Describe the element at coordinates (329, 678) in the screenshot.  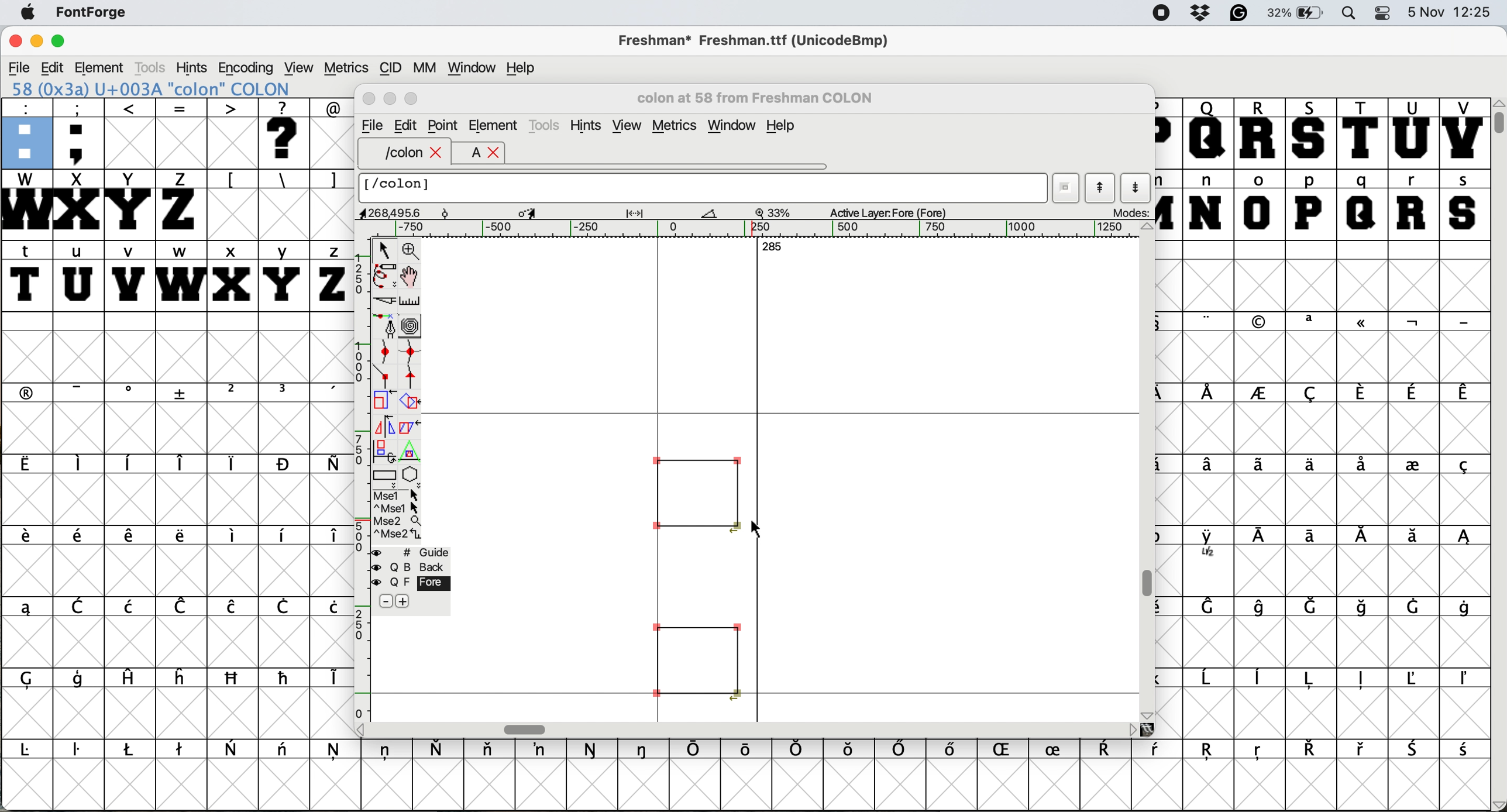
I see `symbol` at that location.